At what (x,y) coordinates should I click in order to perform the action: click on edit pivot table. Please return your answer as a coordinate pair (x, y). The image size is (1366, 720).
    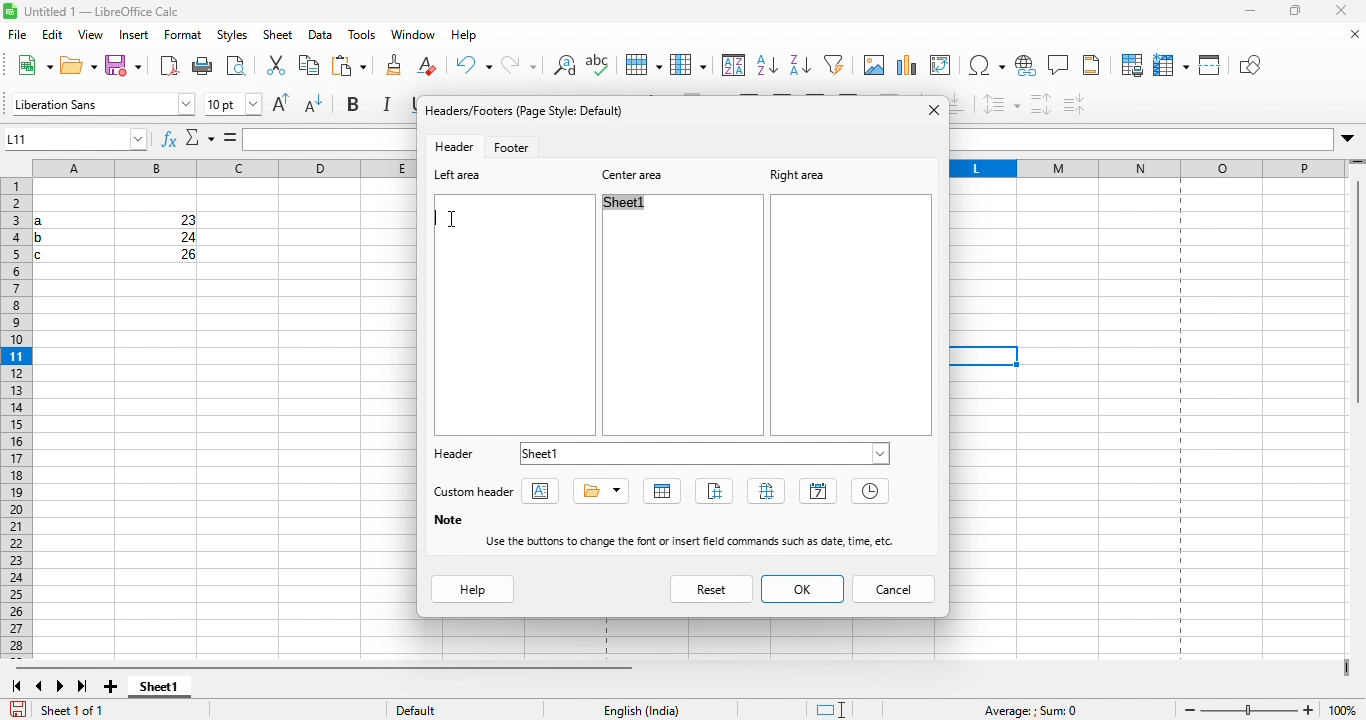
    Looking at the image, I should click on (946, 66).